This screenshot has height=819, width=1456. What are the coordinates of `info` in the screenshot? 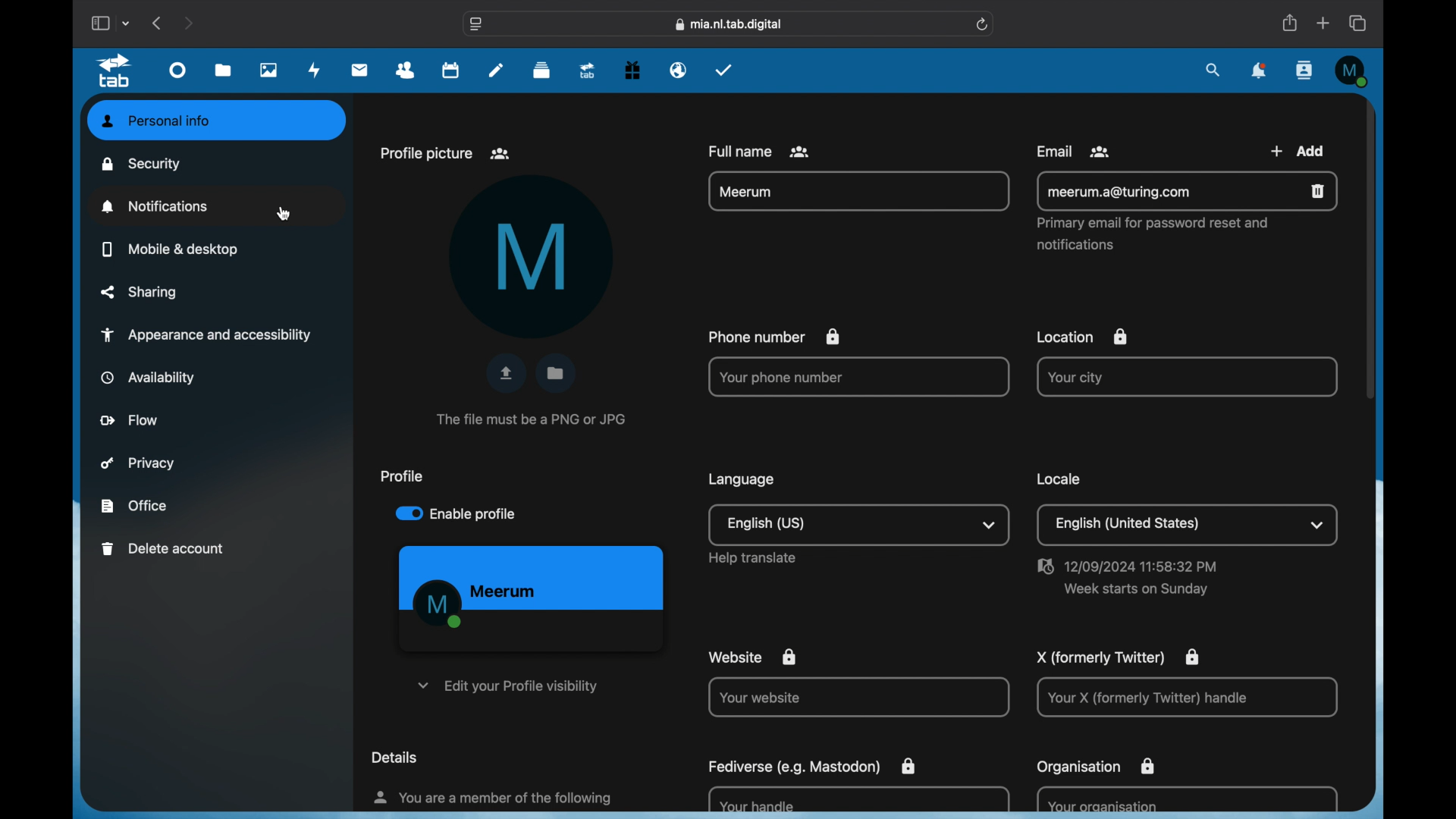 It's located at (496, 799).